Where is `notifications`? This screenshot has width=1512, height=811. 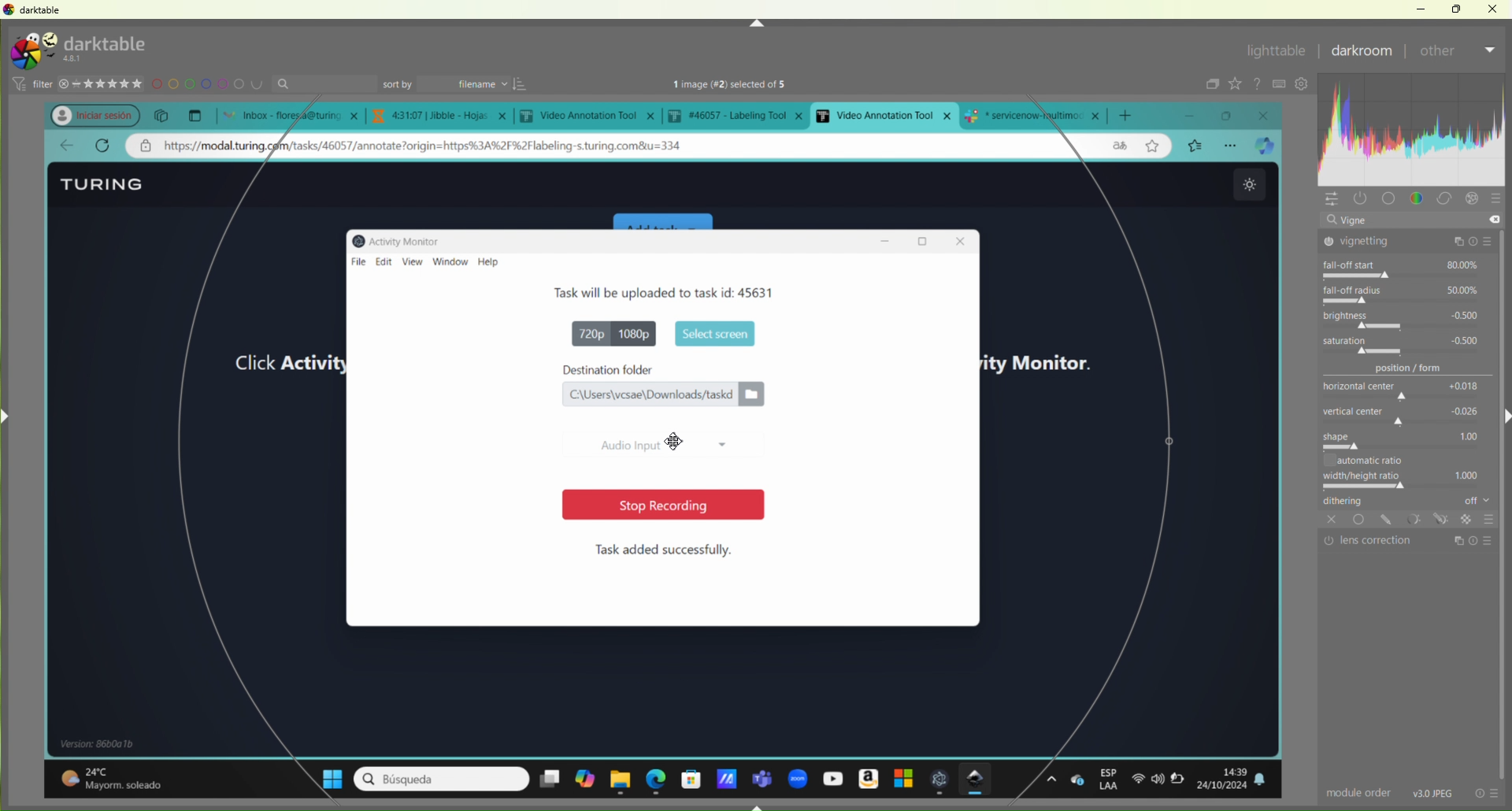
notifications is located at coordinates (1269, 780).